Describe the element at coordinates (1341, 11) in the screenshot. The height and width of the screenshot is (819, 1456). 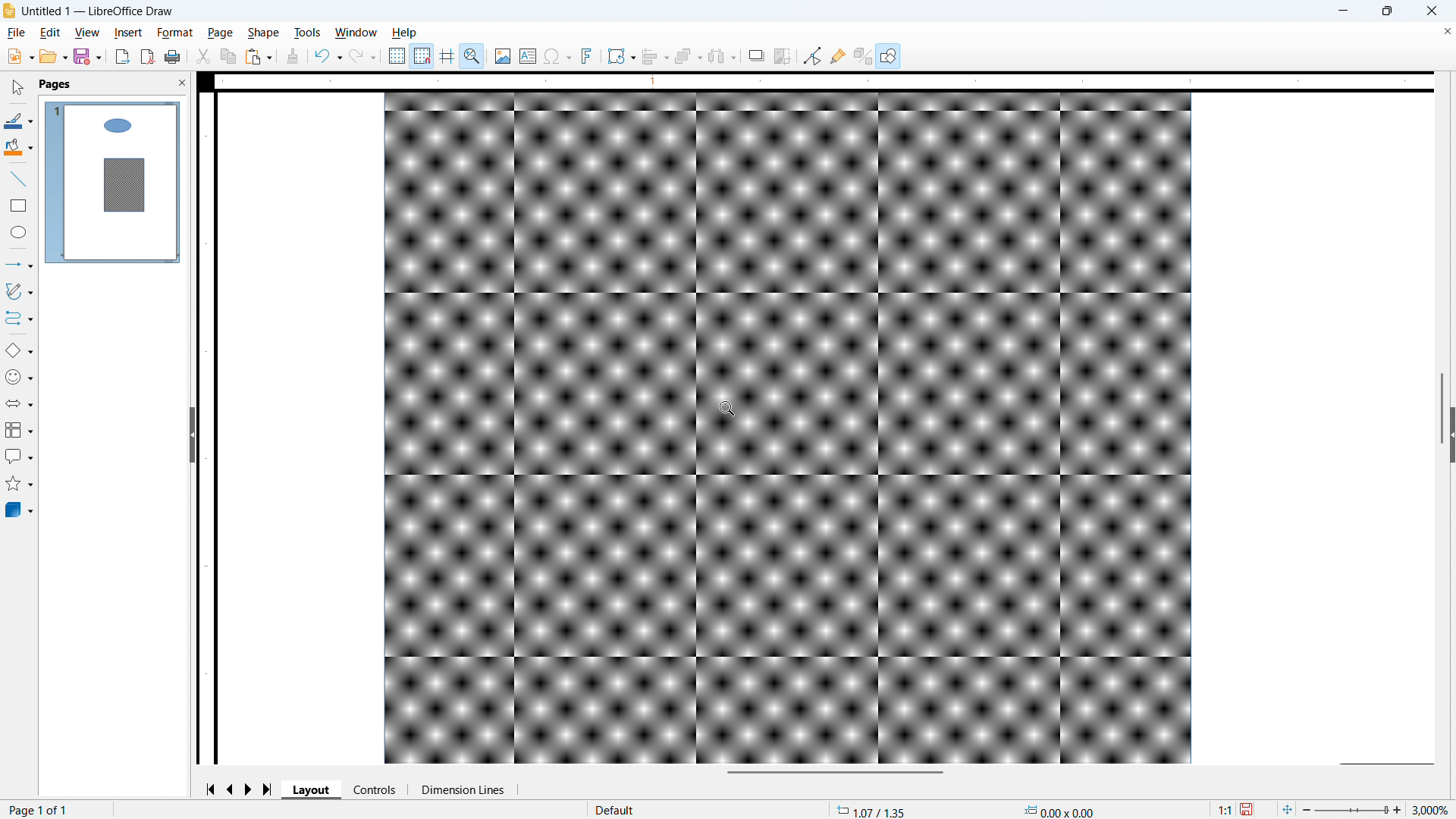
I see `minimise ` at that location.